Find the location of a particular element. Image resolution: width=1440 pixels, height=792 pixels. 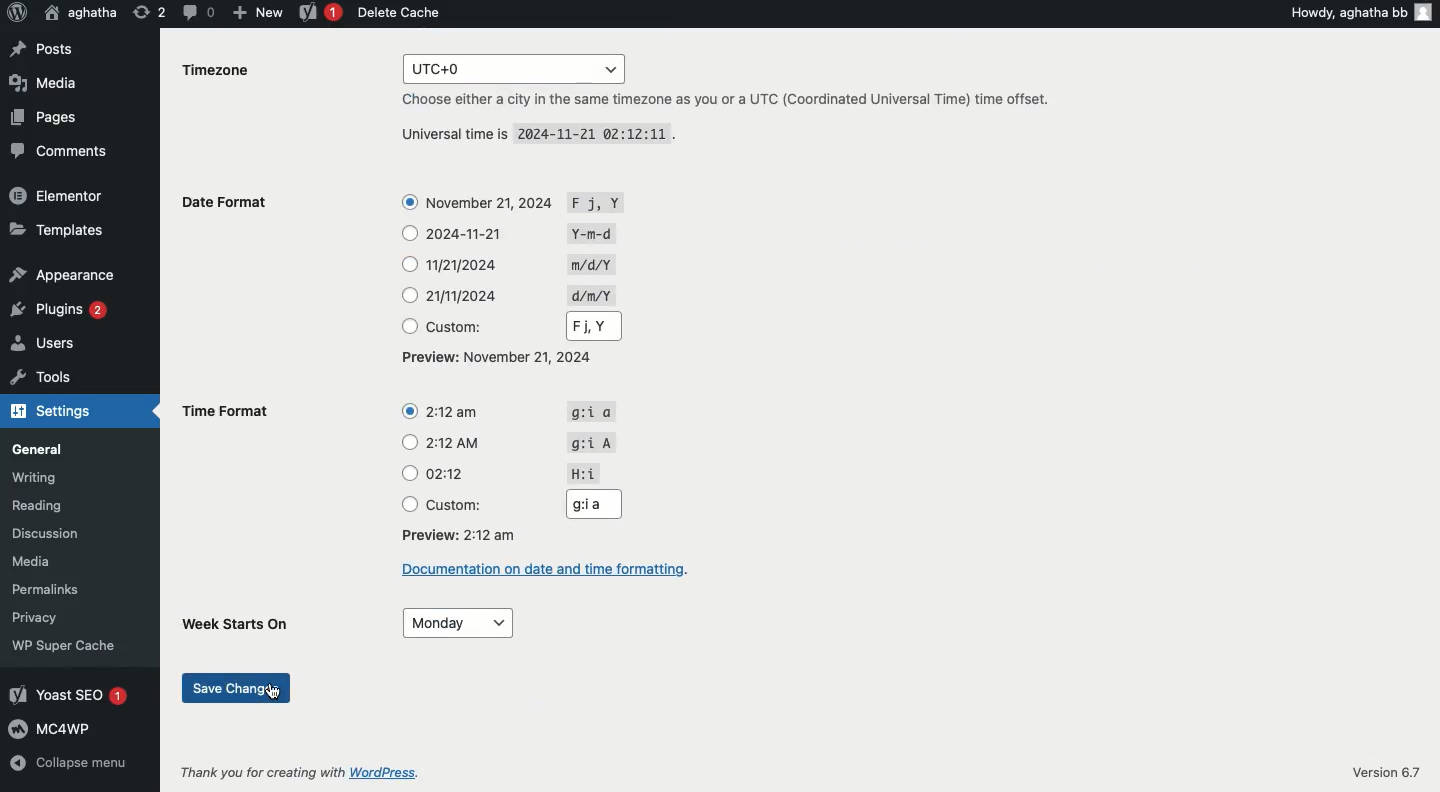

Date format is located at coordinates (226, 203).